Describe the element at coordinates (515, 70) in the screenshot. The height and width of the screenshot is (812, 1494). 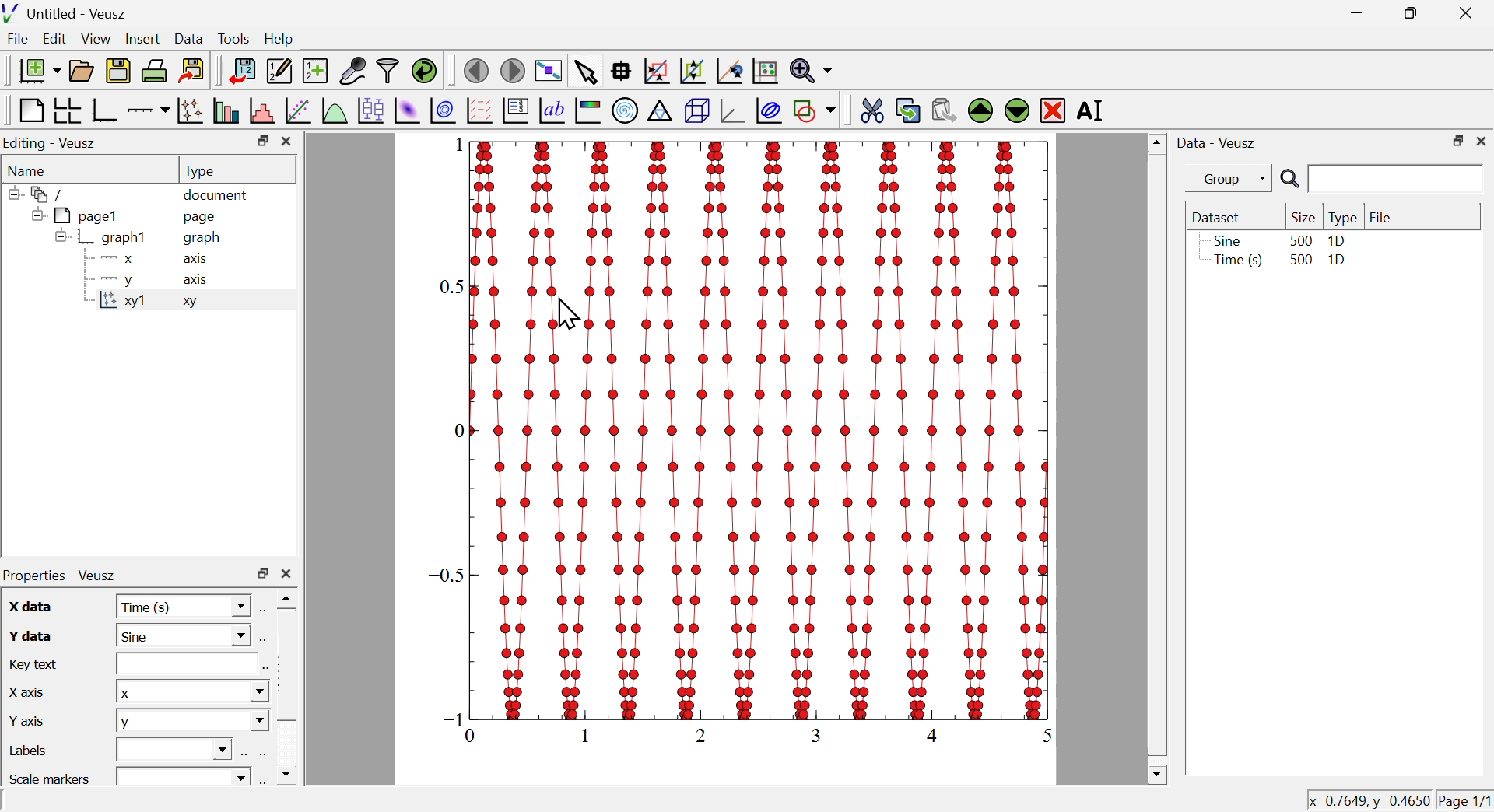
I see `move to the next page` at that location.